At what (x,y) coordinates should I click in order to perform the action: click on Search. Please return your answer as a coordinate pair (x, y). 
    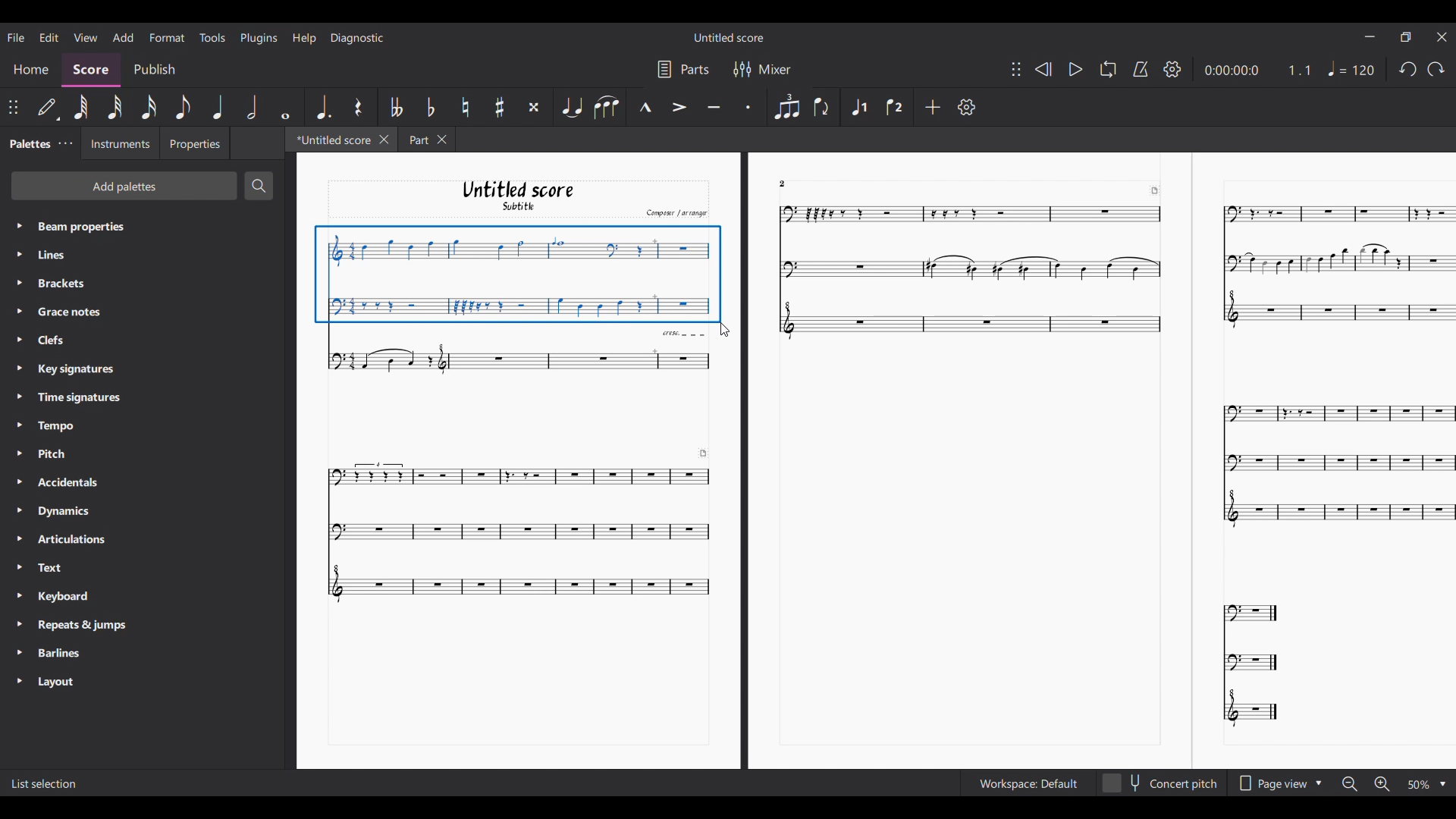
    Looking at the image, I should click on (259, 186).